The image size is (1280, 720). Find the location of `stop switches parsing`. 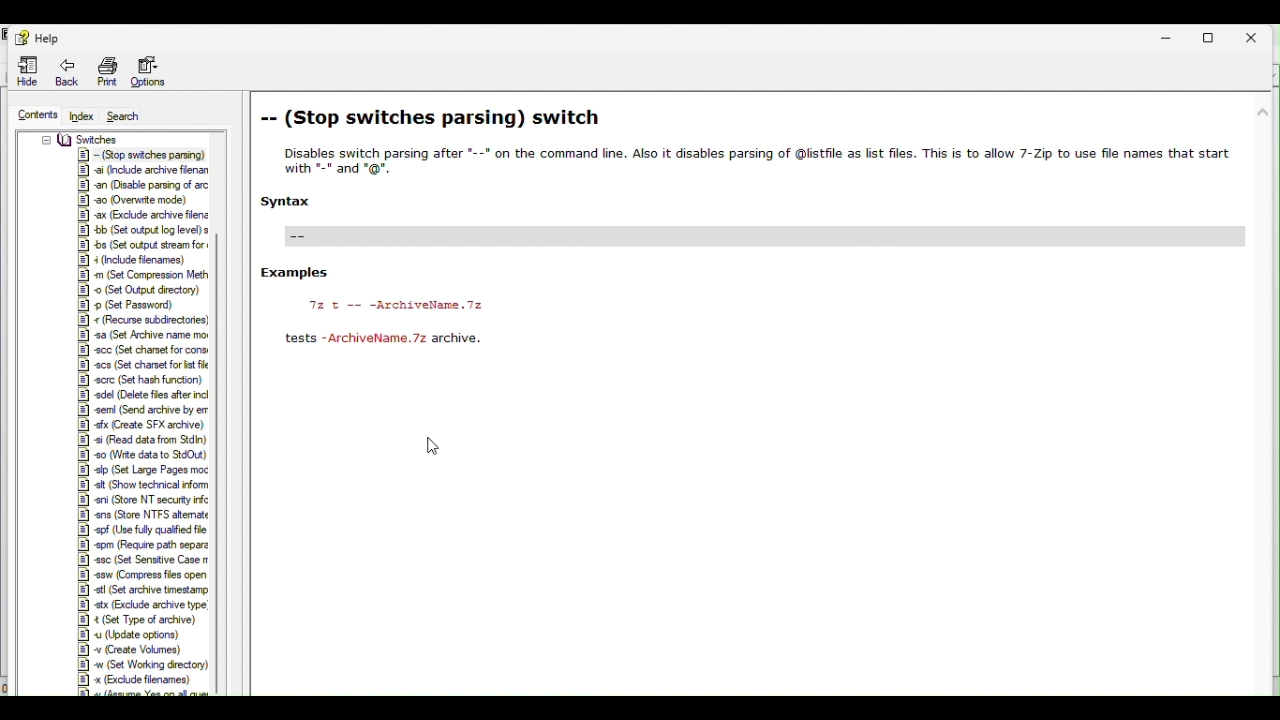

stop switches parsing is located at coordinates (440, 114).